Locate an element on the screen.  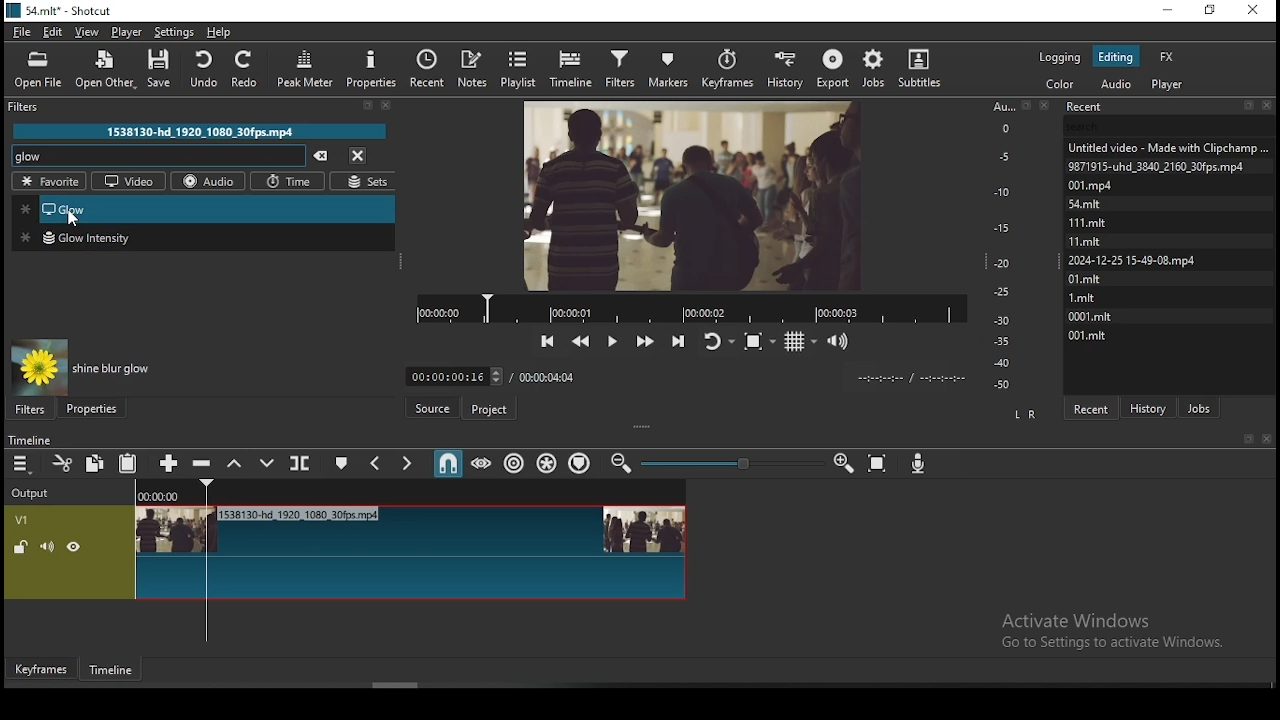
1538130-hd_1920_1080_30fps.mp4 is located at coordinates (201, 131).